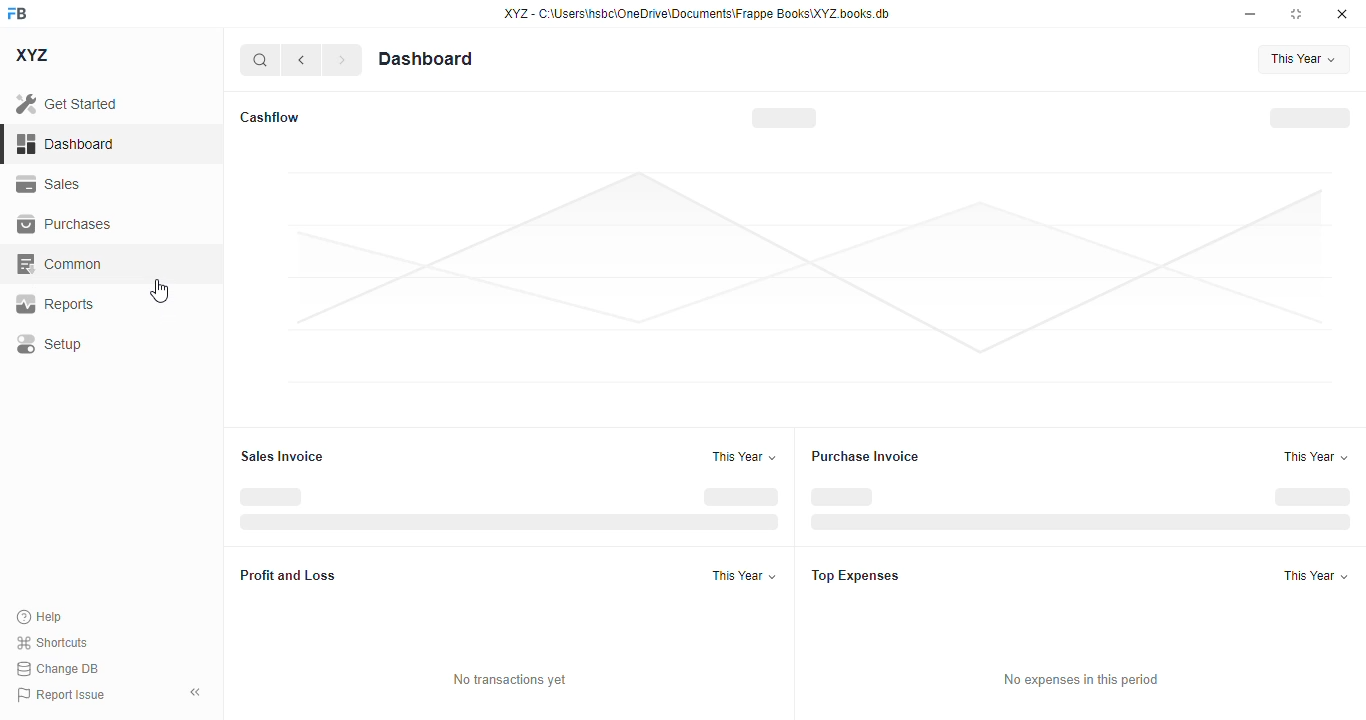 The height and width of the screenshot is (720, 1366). I want to click on no transactions yet, so click(509, 680).